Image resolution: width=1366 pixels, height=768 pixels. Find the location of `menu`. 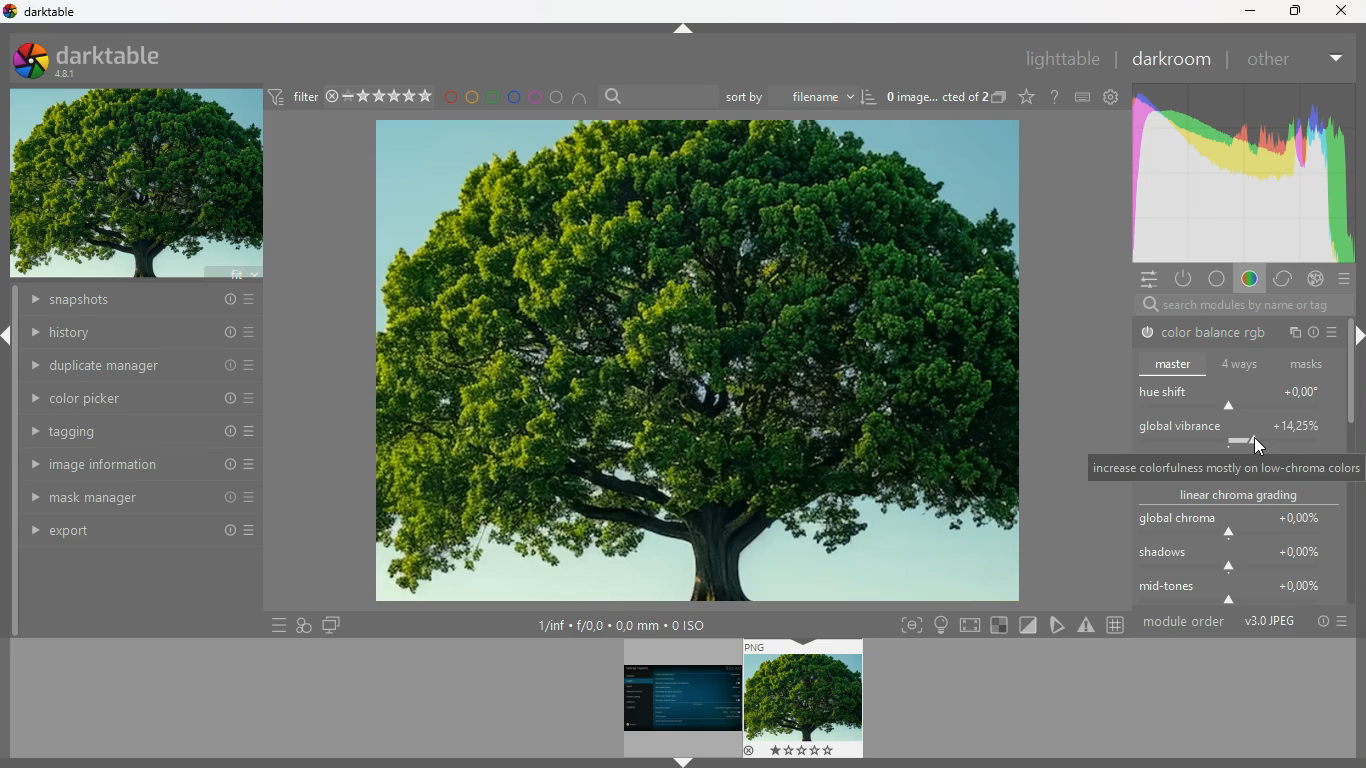

menu is located at coordinates (274, 625).